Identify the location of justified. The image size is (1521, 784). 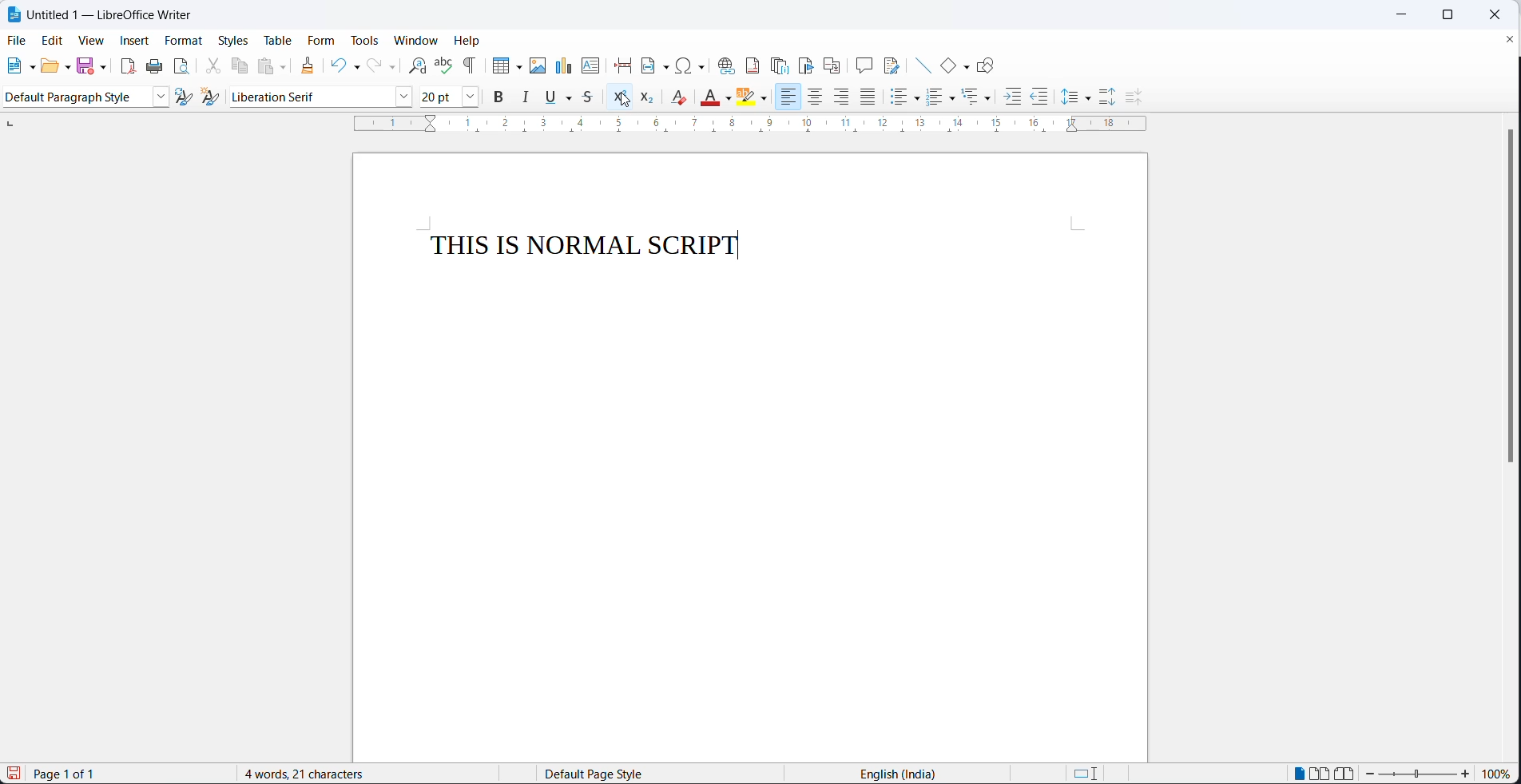
(868, 97).